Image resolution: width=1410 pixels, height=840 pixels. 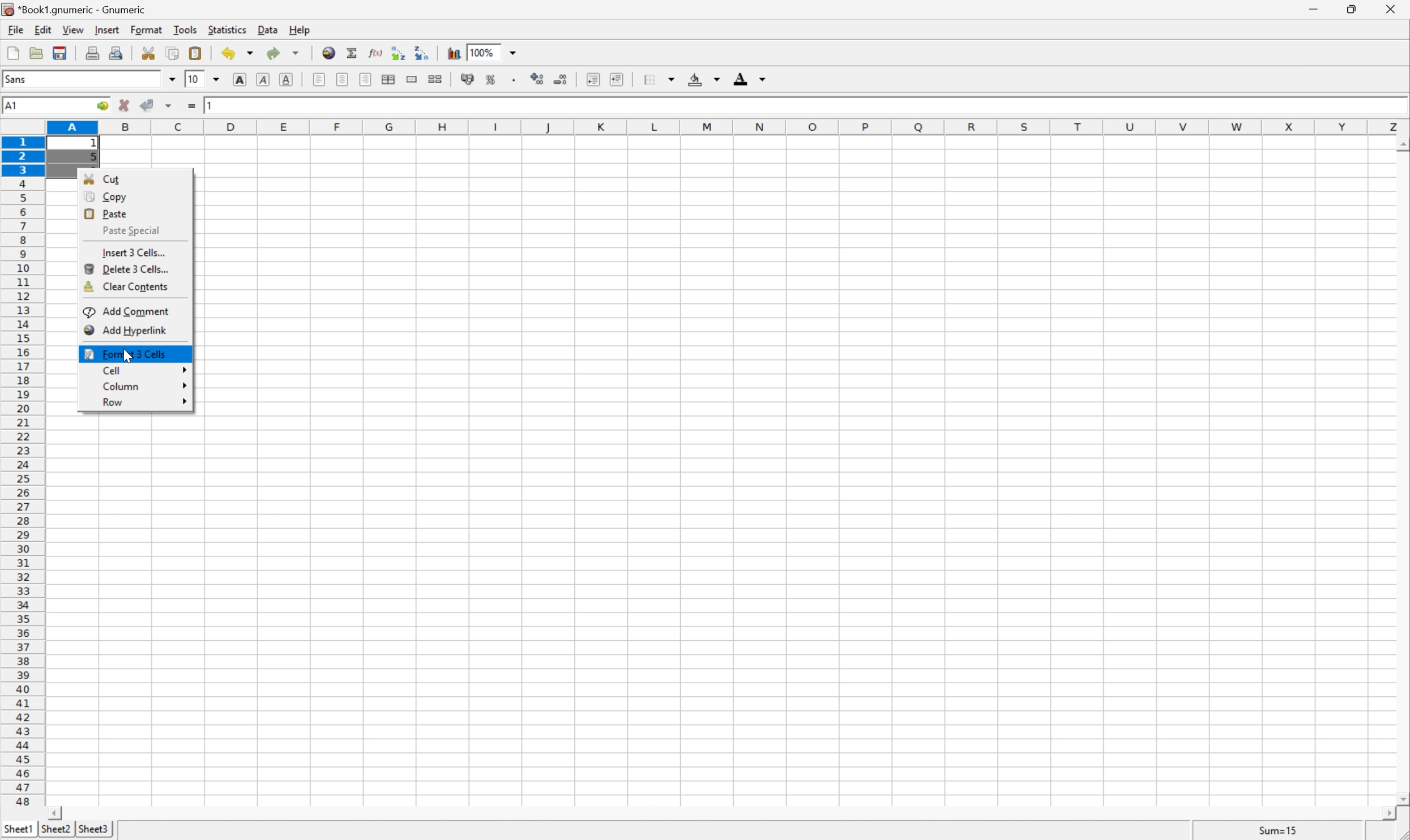 What do you see at coordinates (103, 178) in the screenshot?
I see `cut` at bounding box center [103, 178].